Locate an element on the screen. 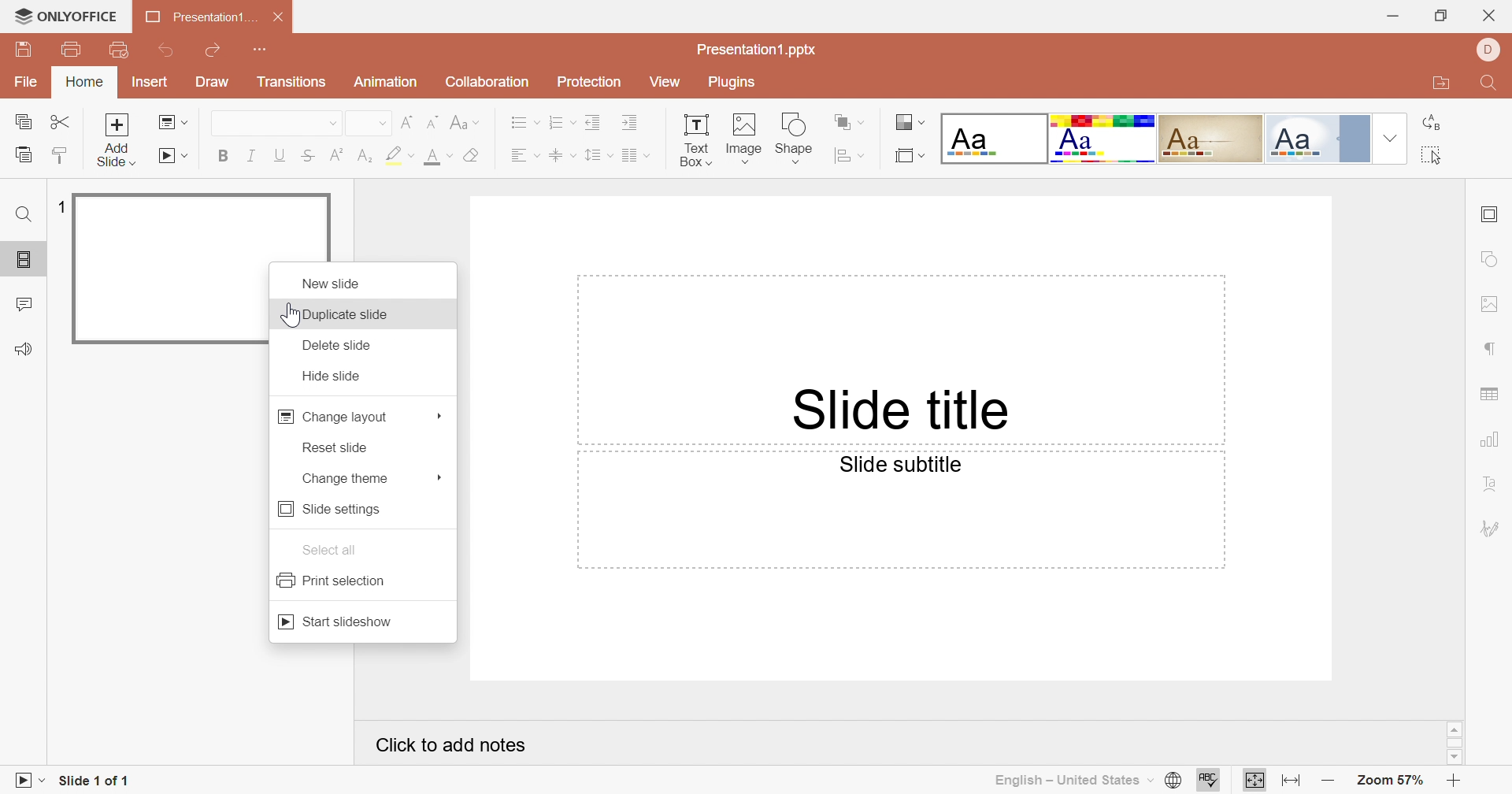 This screenshot has height=794, width=1512. Superscript is located at coordinates (335, 153).